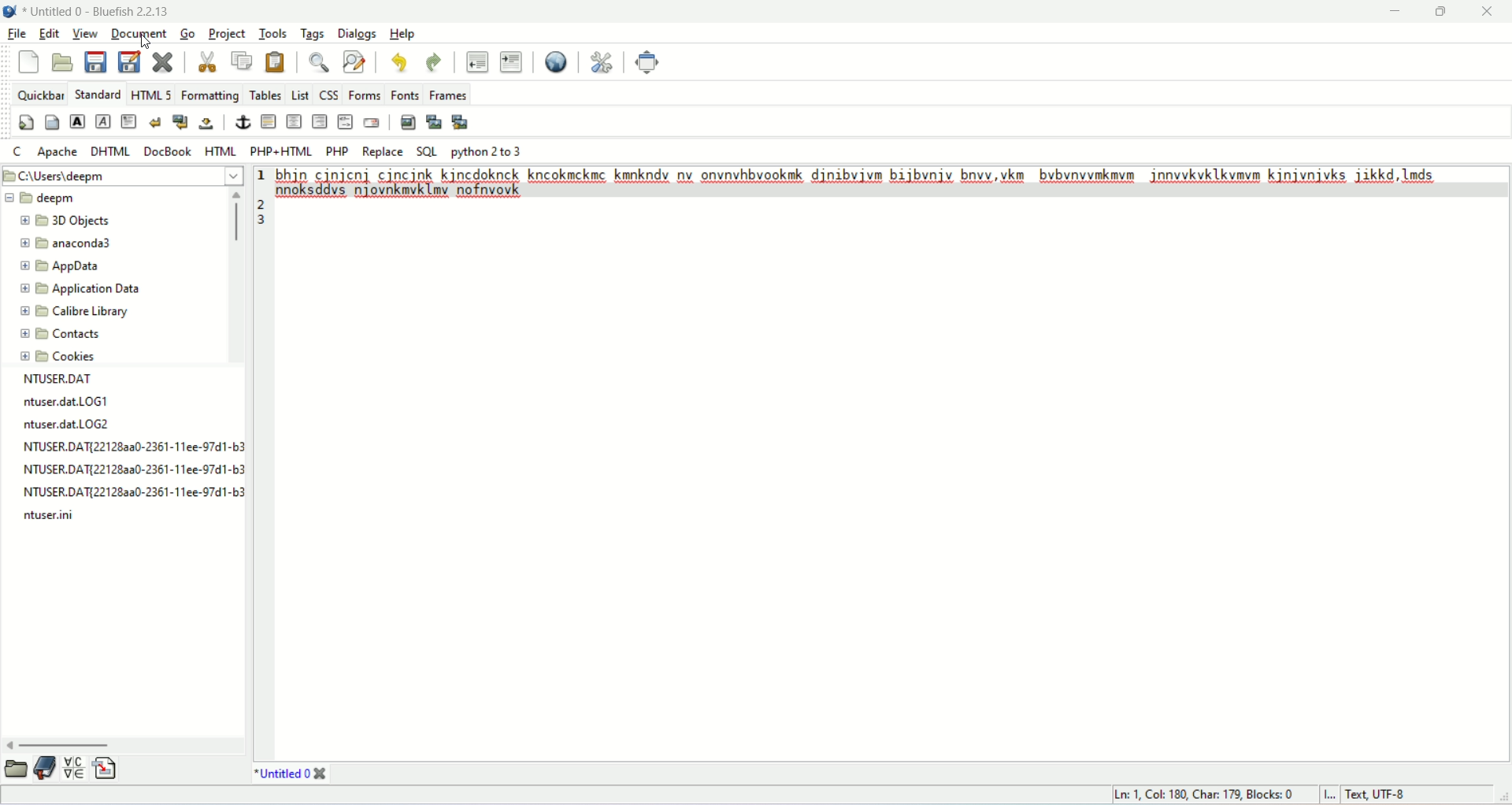 This screenshot has height=805, width=1512. Describe the element at coordinates (77, 380) in the screenshot. I see `file` at that location.